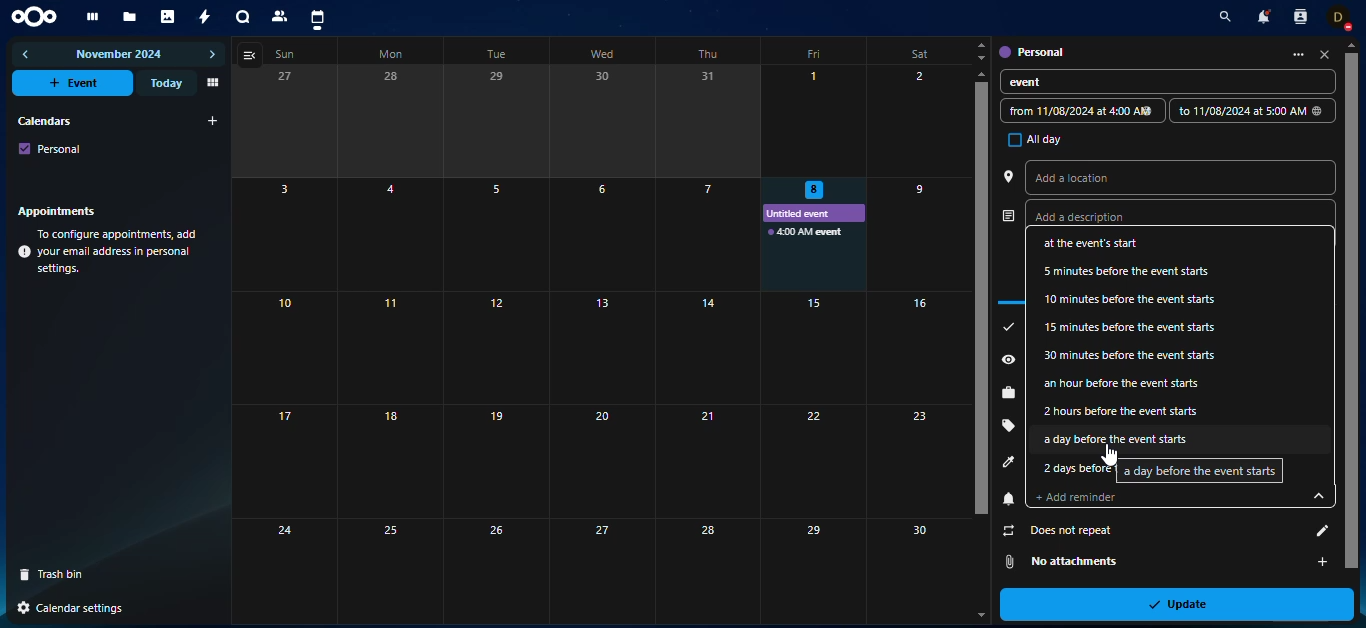 This screenshot has width=1366, height=628. Describe the element at coordinates (387, 461) in the screenshot. I see `18` at that location.